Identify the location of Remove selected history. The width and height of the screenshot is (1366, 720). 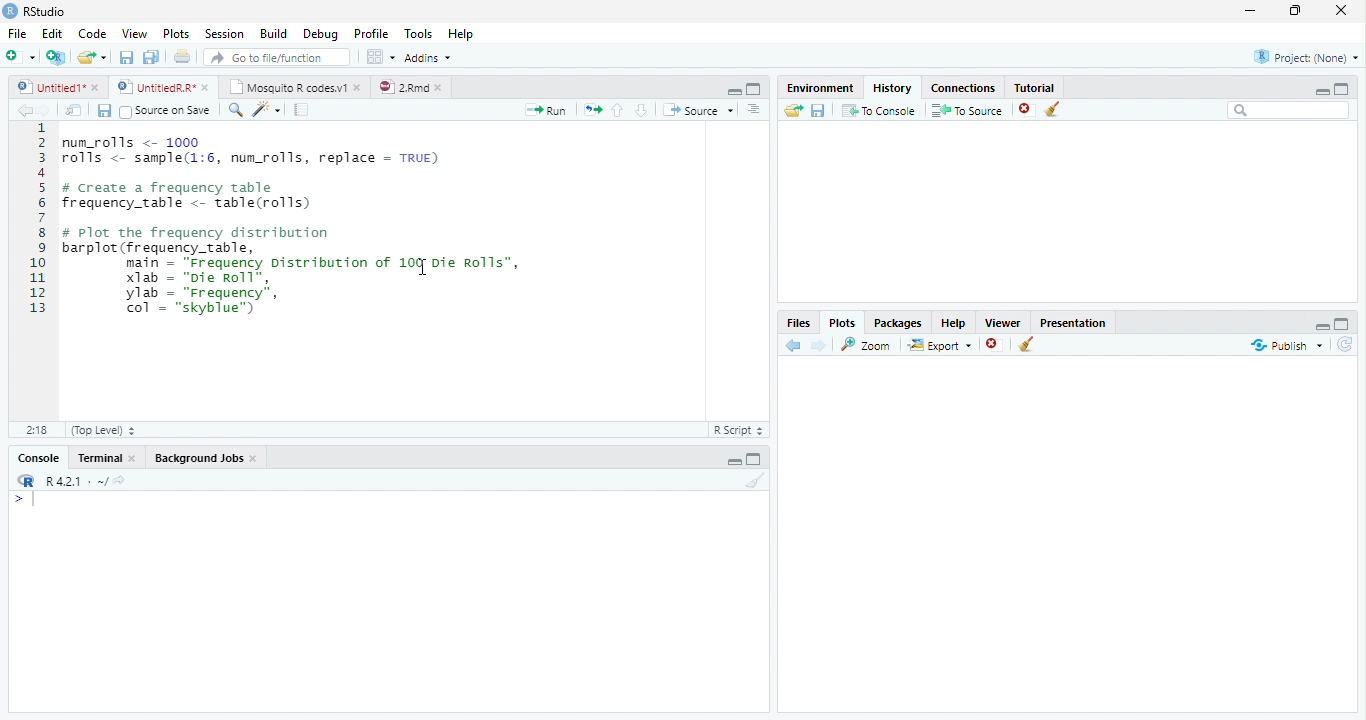
(1025, 109).